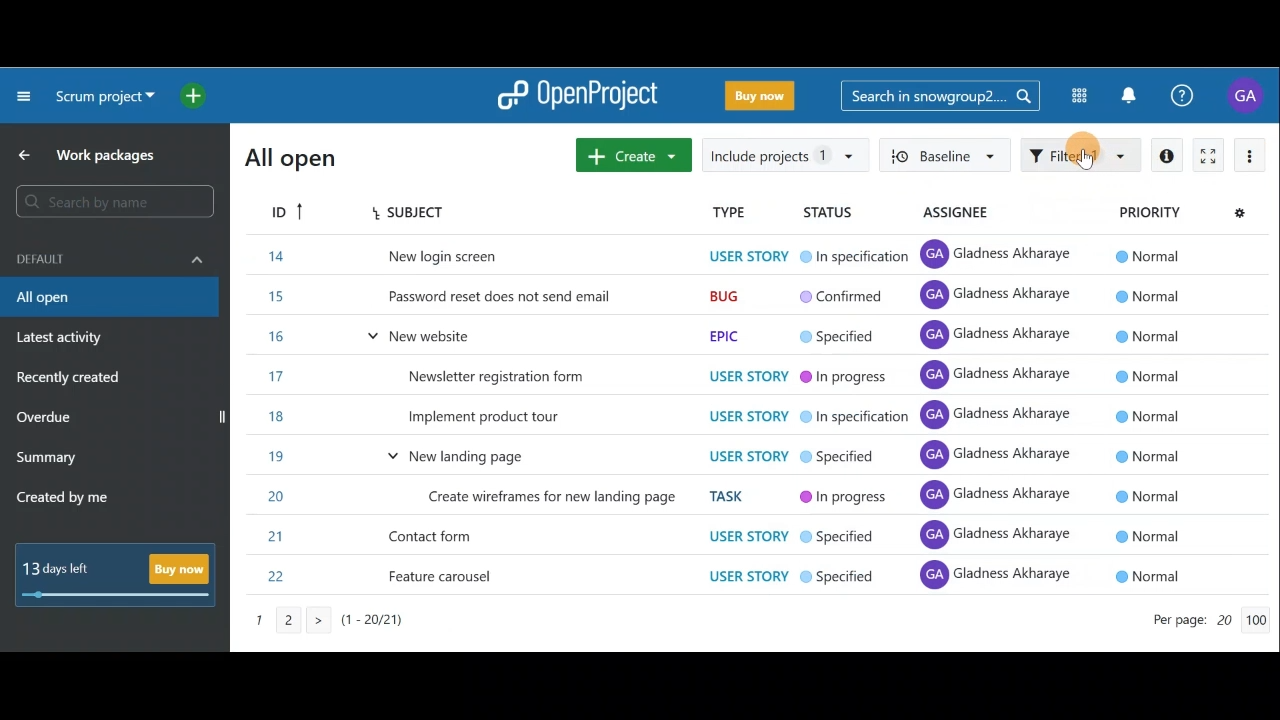  Describe the element at coordinates (740, 294) in the screenshot. I see `Item 1` at that location.